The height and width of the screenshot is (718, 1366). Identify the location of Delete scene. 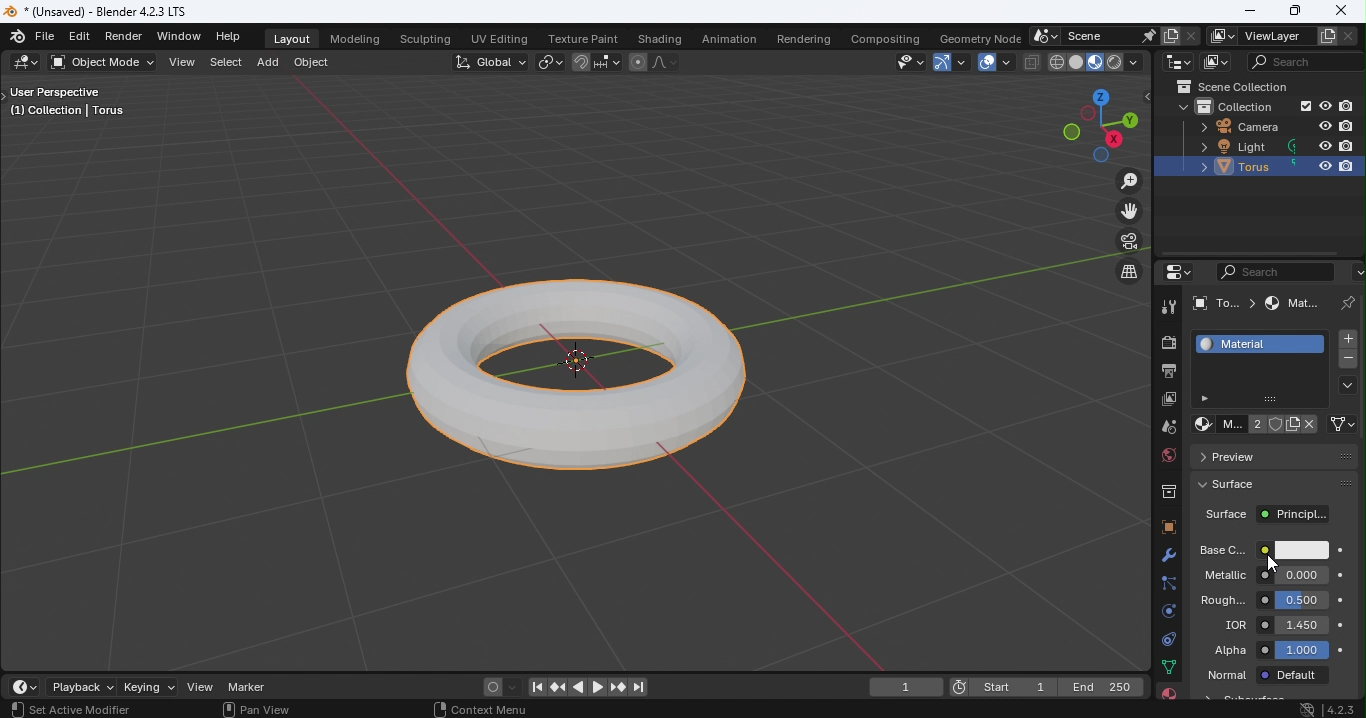
(1190, 35).